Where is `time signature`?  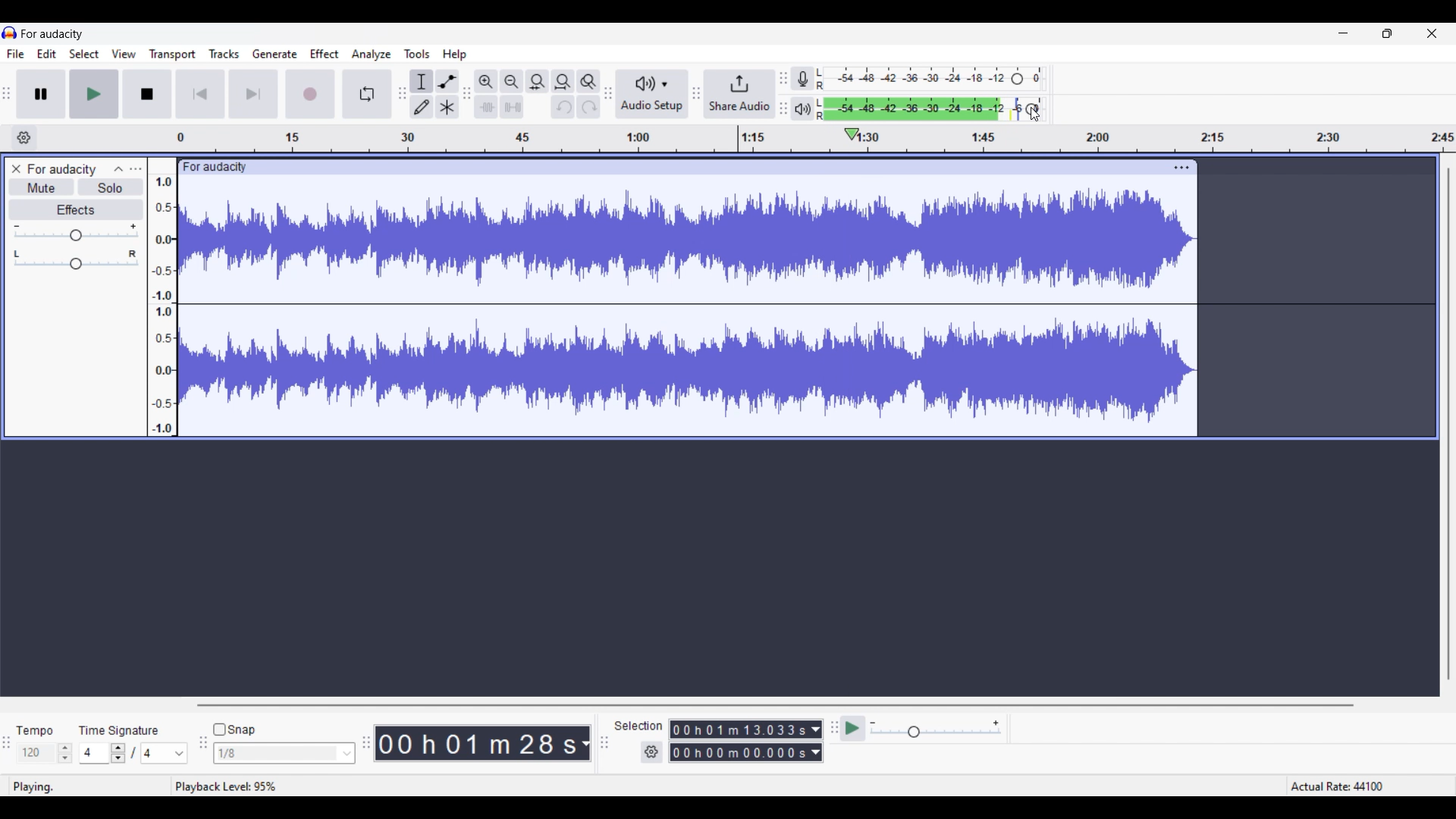
time signature is located at coordinates (118, 730).